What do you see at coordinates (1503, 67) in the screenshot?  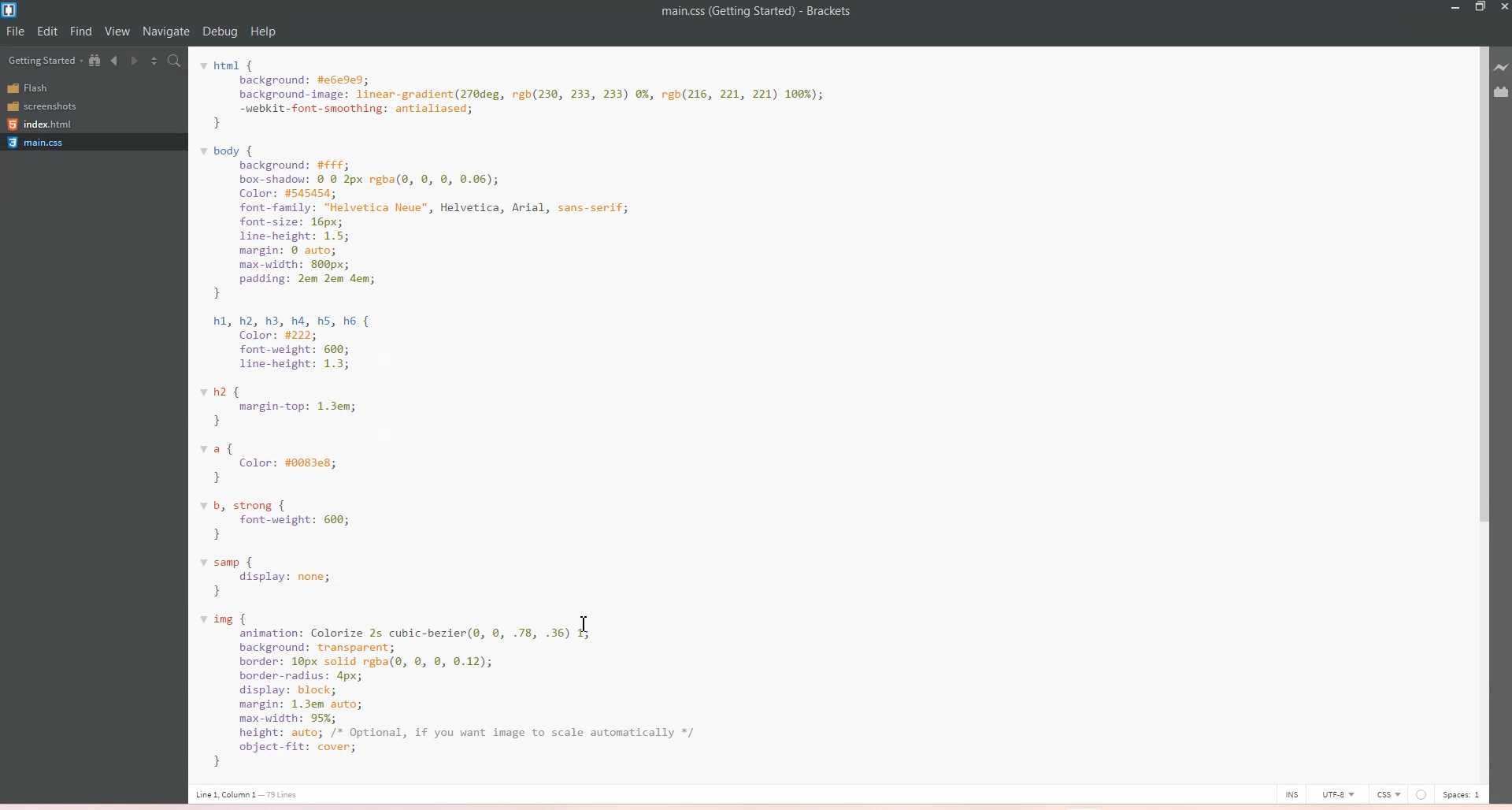 I see `Live Preview` at bounding box center [1503, 67].